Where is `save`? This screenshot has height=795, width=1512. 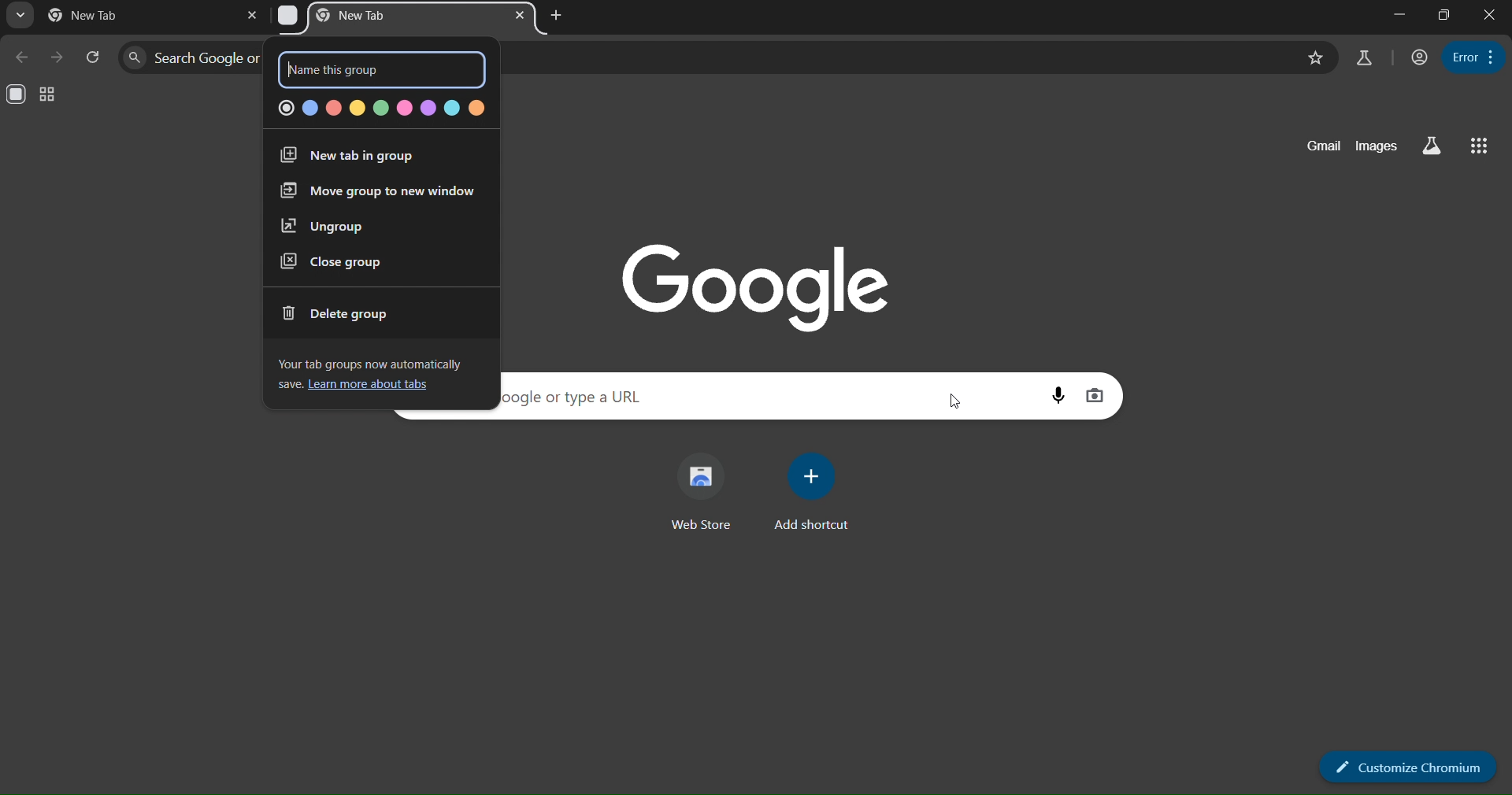 save is located at coordinates (287, 384).